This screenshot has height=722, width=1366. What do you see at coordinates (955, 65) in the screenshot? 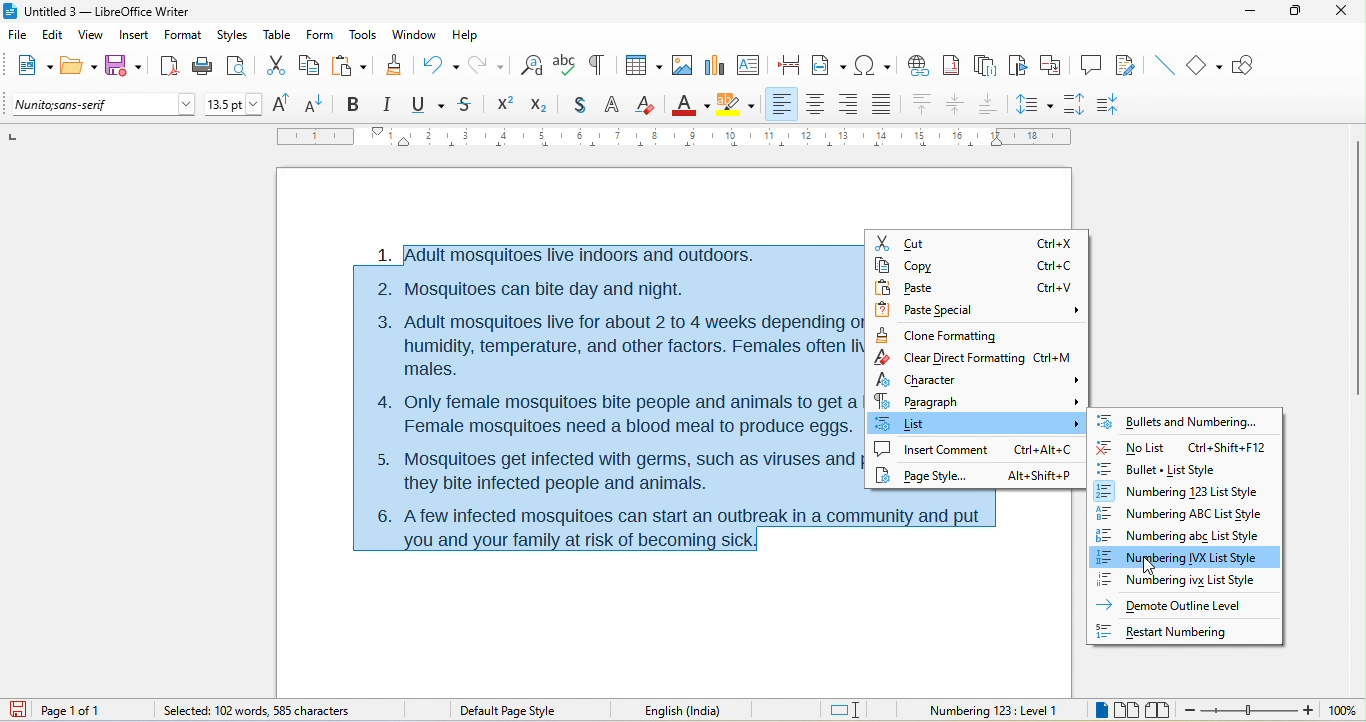
I see `footnote` at bounding box center [955, 65].